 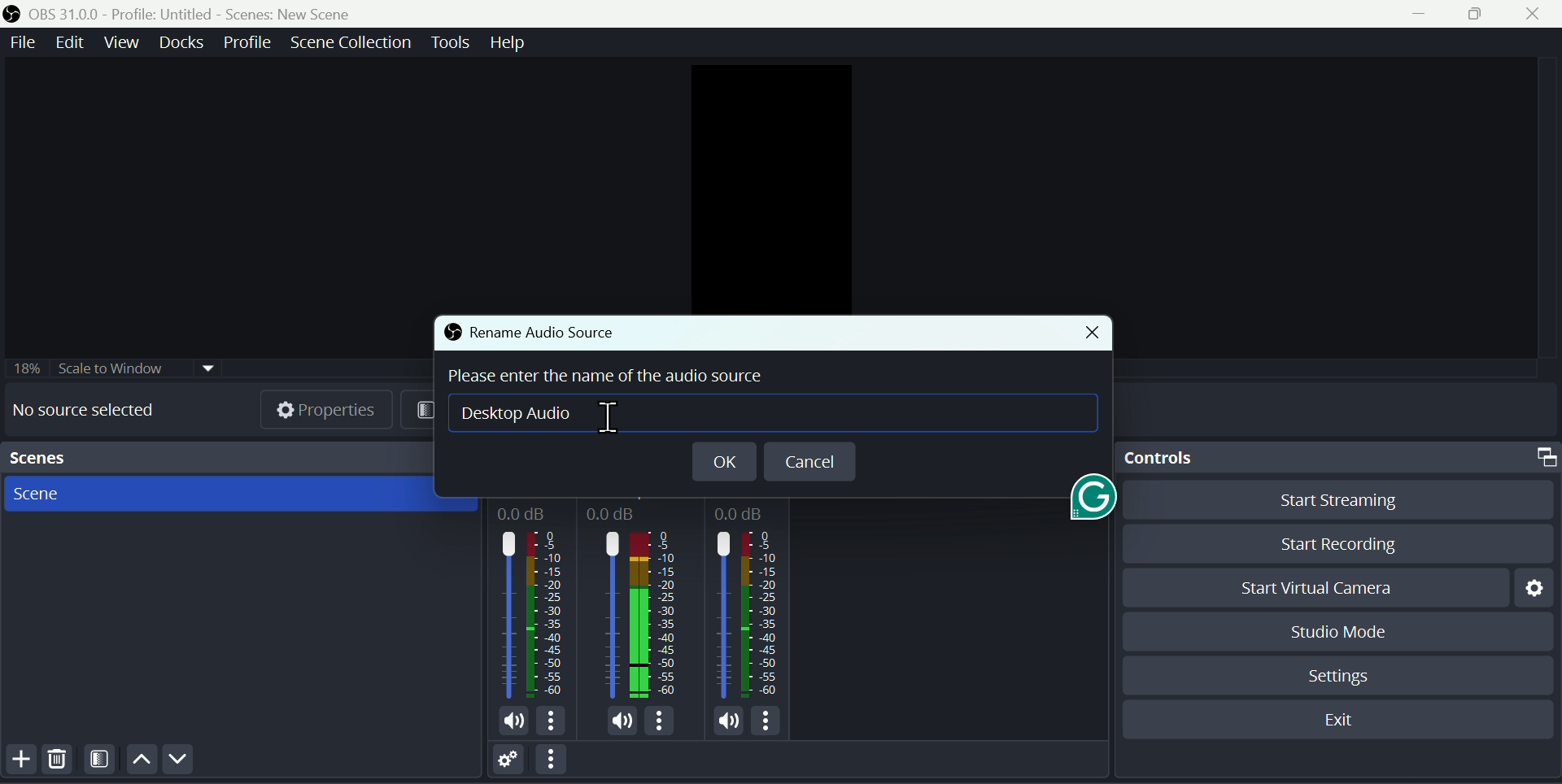 I want to click on Start recording, so click(x=1328, y=544).